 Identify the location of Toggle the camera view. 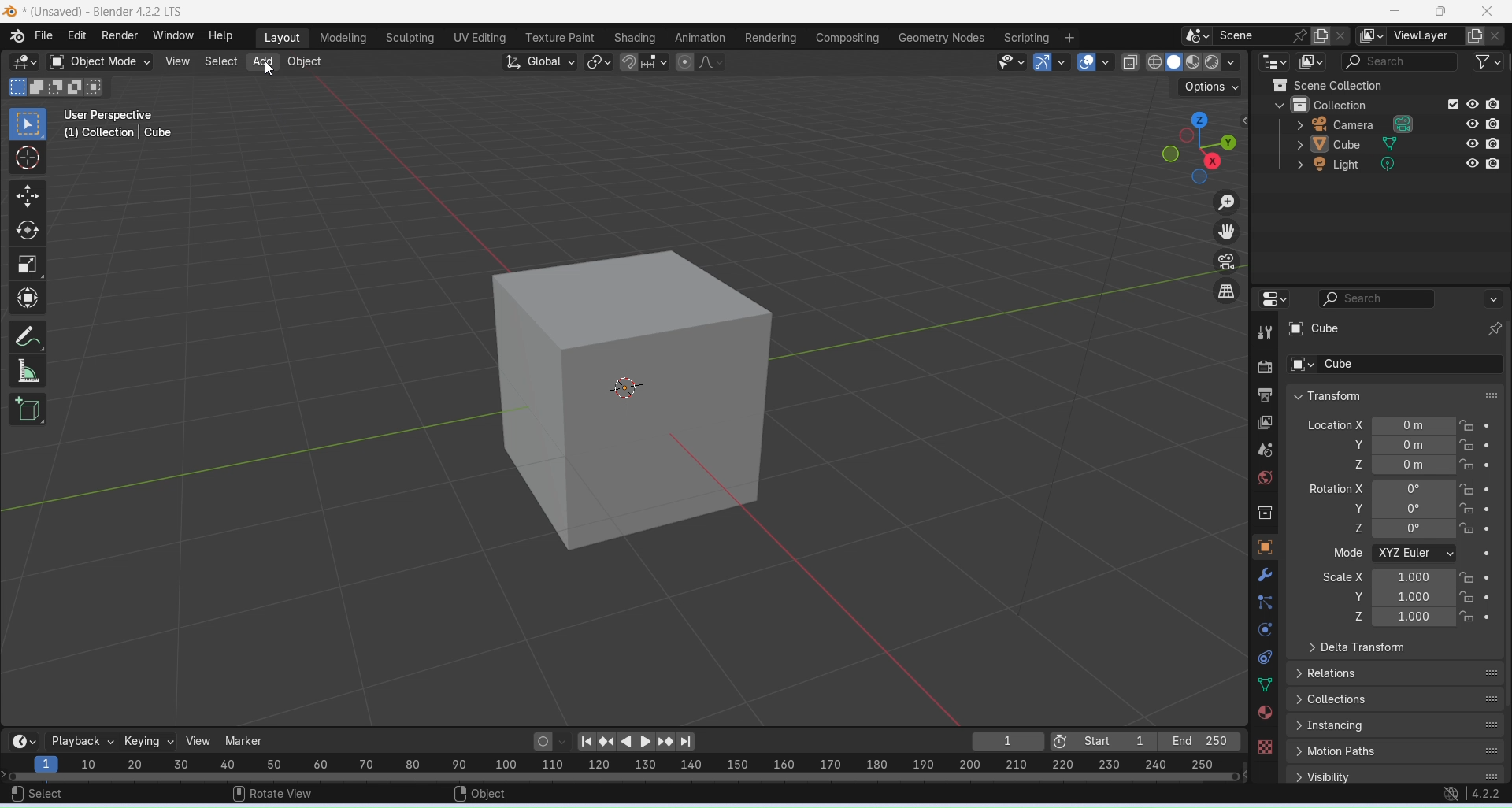
(1227, 261).